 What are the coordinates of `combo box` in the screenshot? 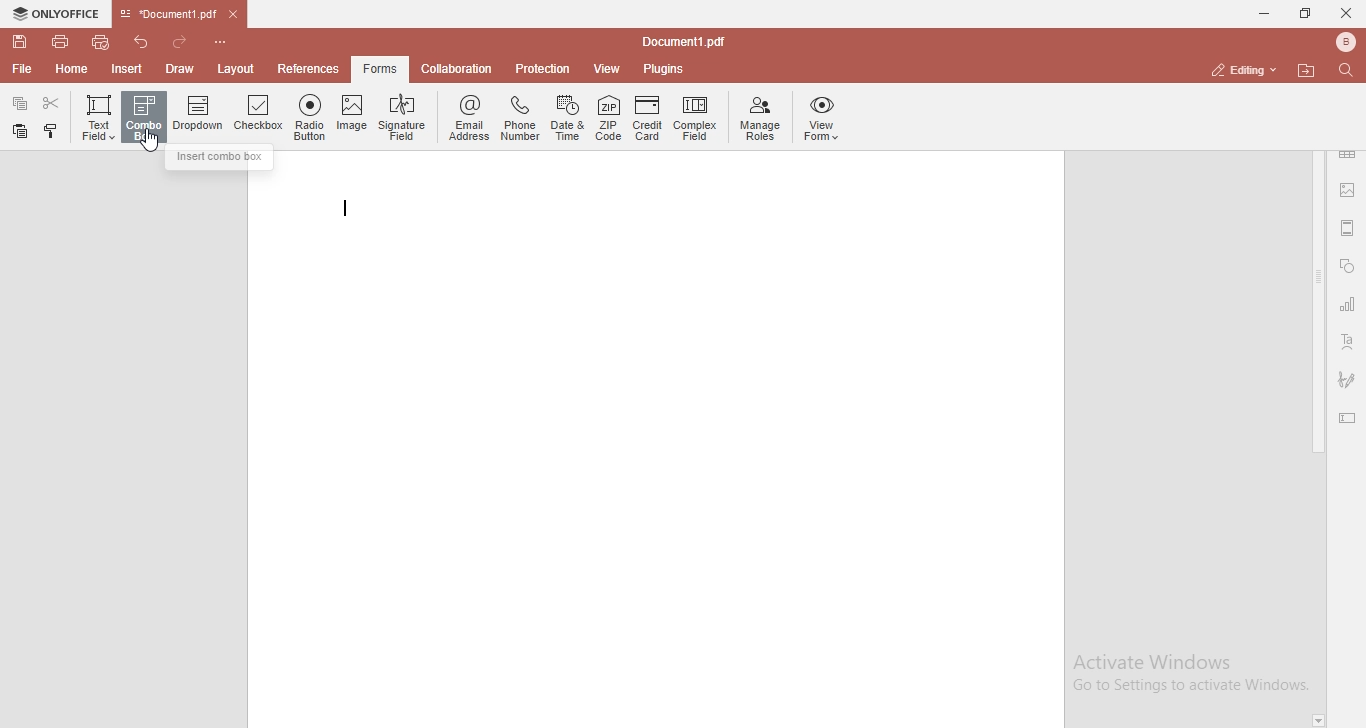 It's located at (144, 118).